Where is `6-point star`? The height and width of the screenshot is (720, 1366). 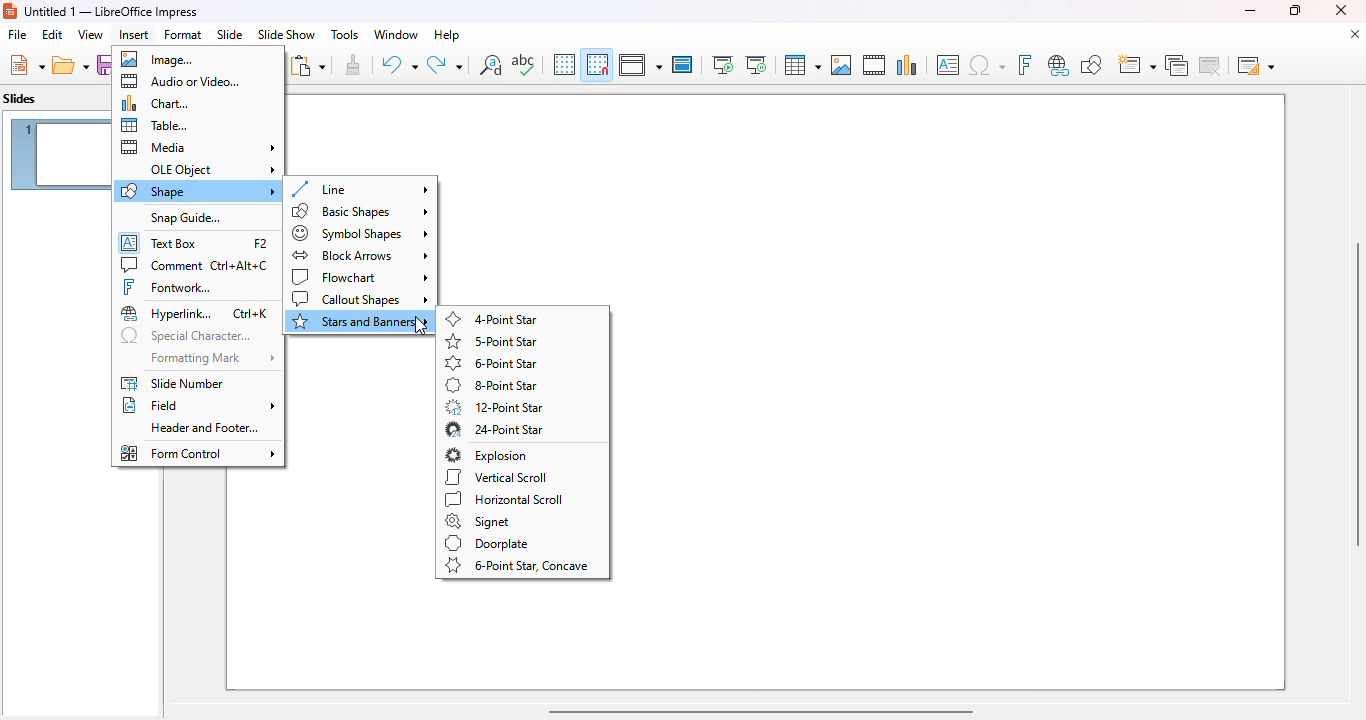 6-point star is located at coordinates (493, 363).